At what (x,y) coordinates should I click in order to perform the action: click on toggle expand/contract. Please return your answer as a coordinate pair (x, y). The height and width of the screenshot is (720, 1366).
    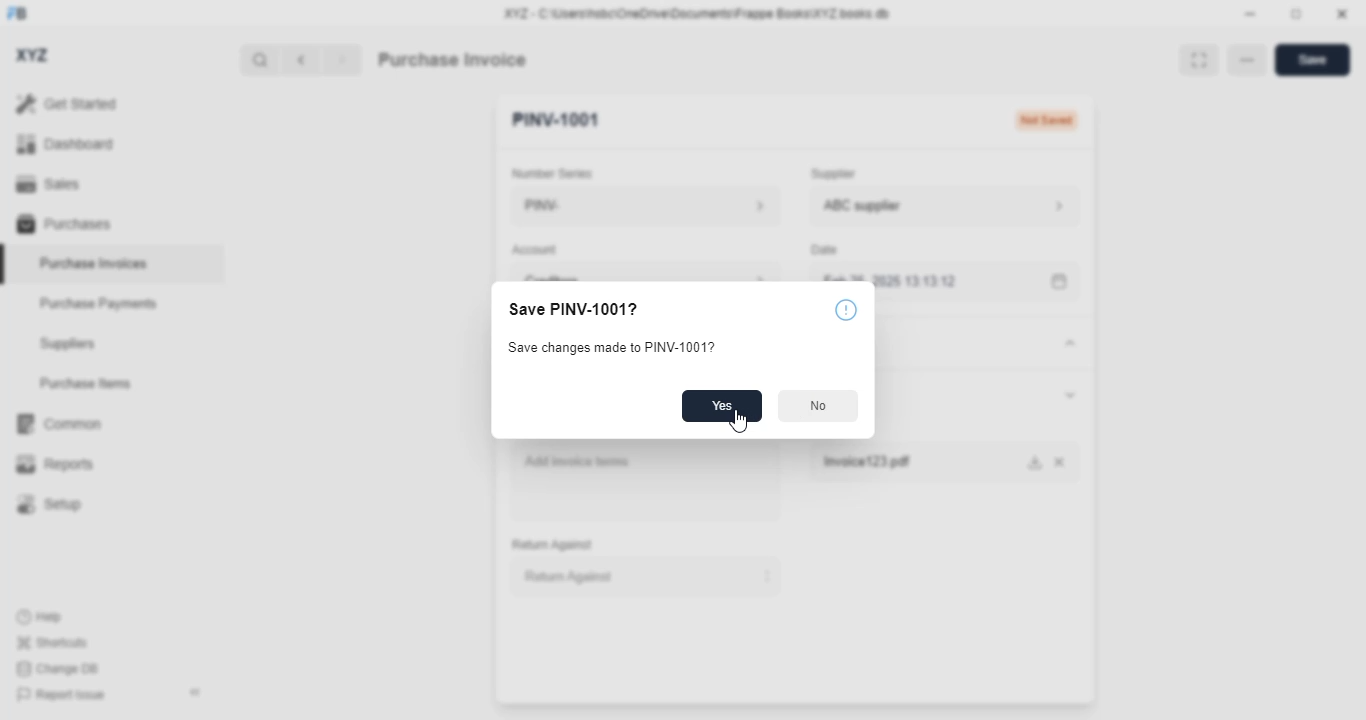
    Looking at the image, I should click on (1068, 344).